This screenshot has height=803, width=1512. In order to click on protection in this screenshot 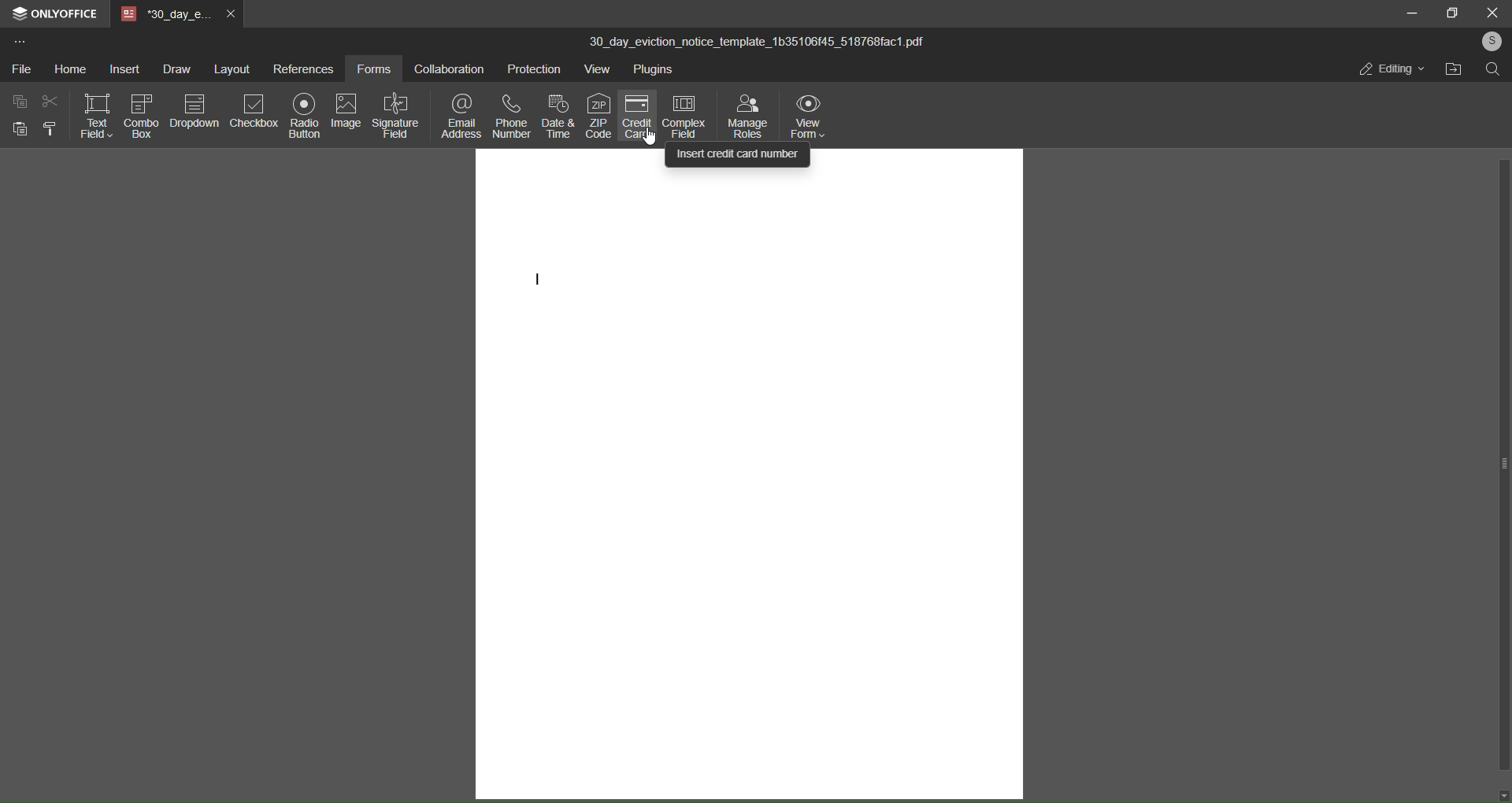, I will do `click(535, 68)`.